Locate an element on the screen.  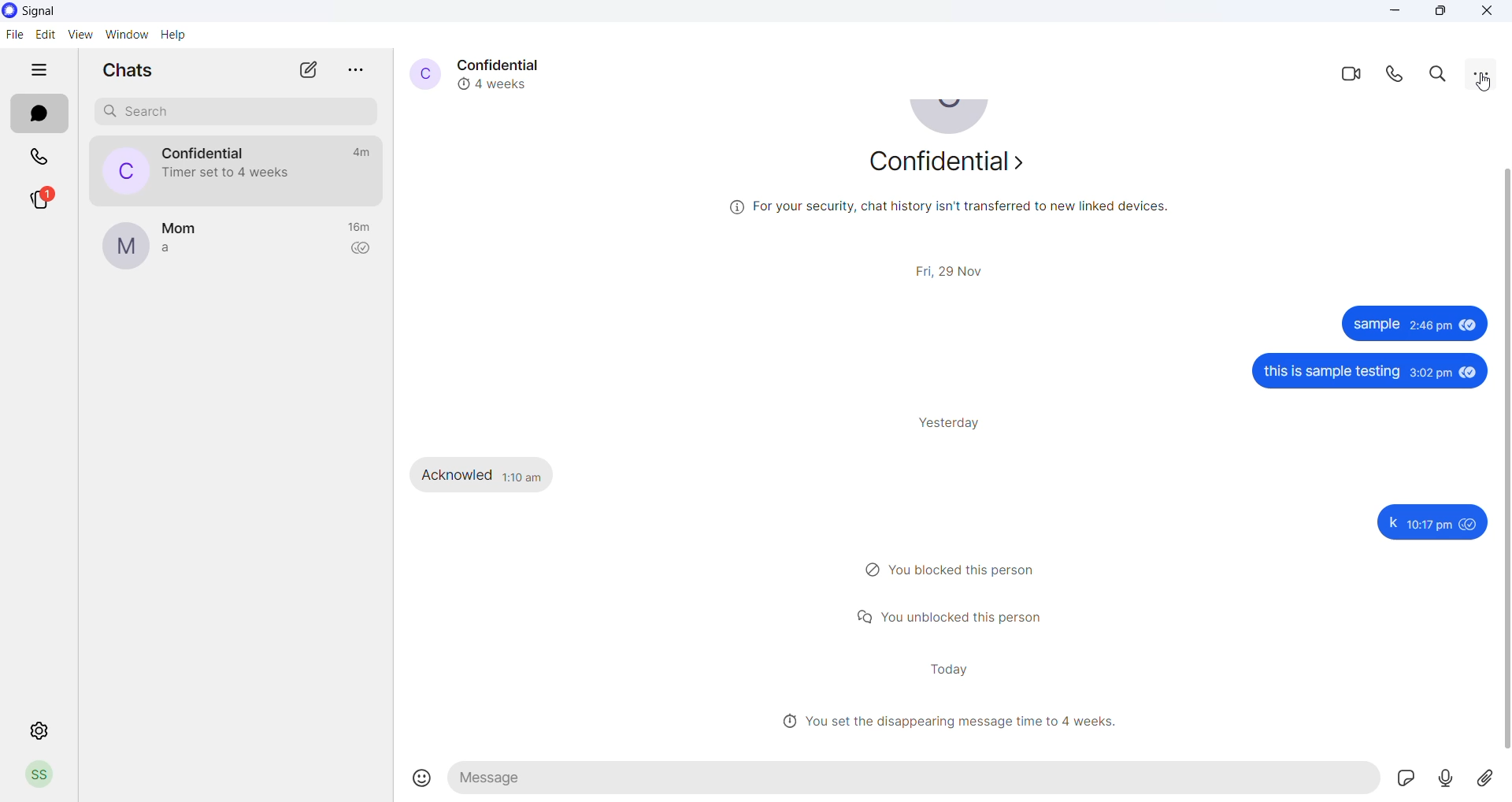
unblocked heading is located at coordinates (958, 615).